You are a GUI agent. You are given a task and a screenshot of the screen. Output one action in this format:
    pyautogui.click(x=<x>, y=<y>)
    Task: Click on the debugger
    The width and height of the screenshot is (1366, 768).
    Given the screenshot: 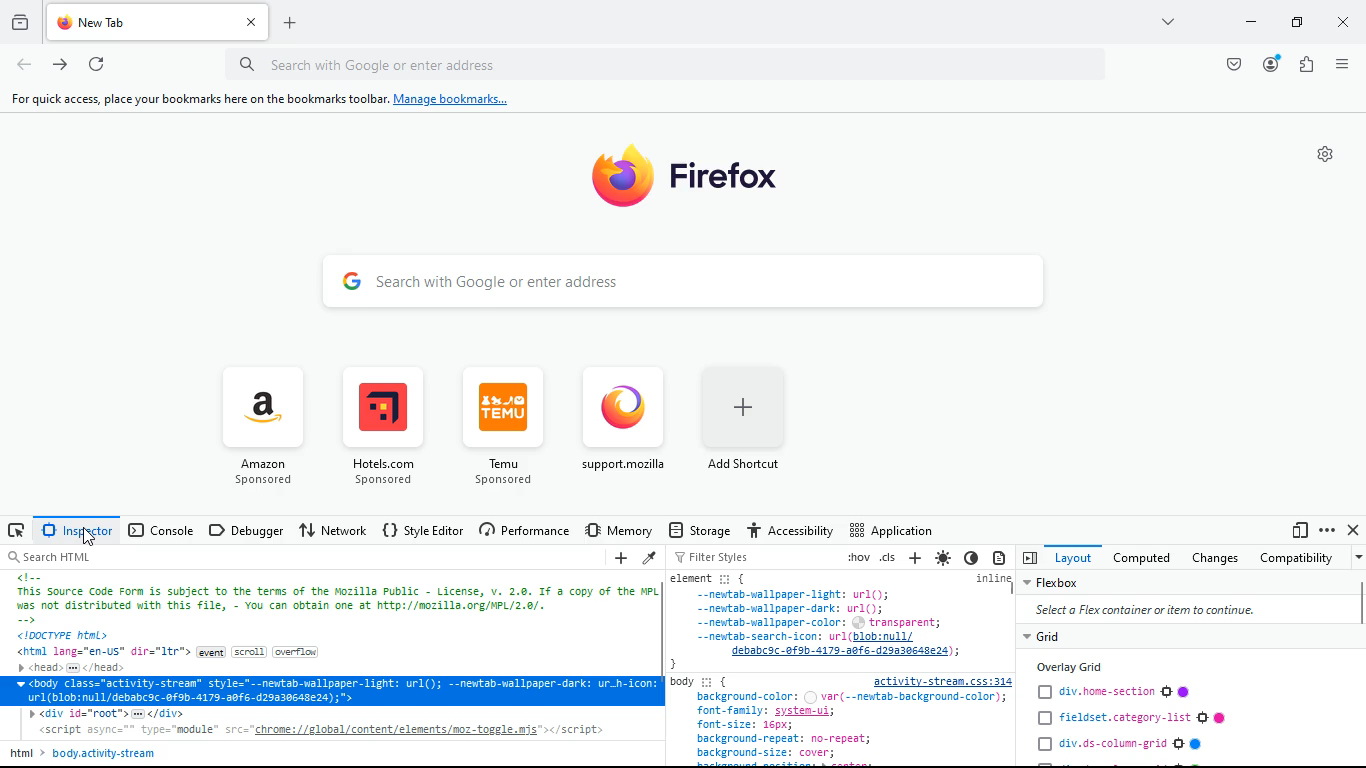 What is the action you would take?
    pyautogui.click(x=246, y=530)
    